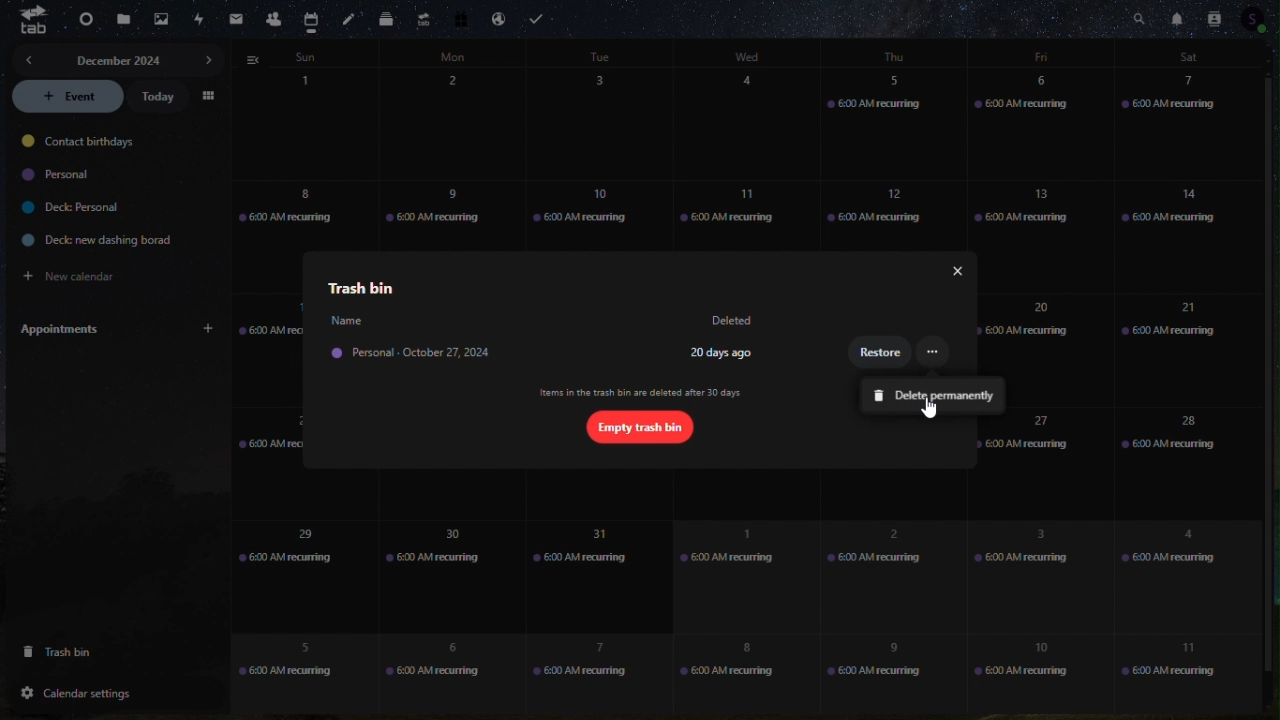 The height and width of the screenshot is (720, 1280). I want to click on calendar - days of the month, so click(302, 120).